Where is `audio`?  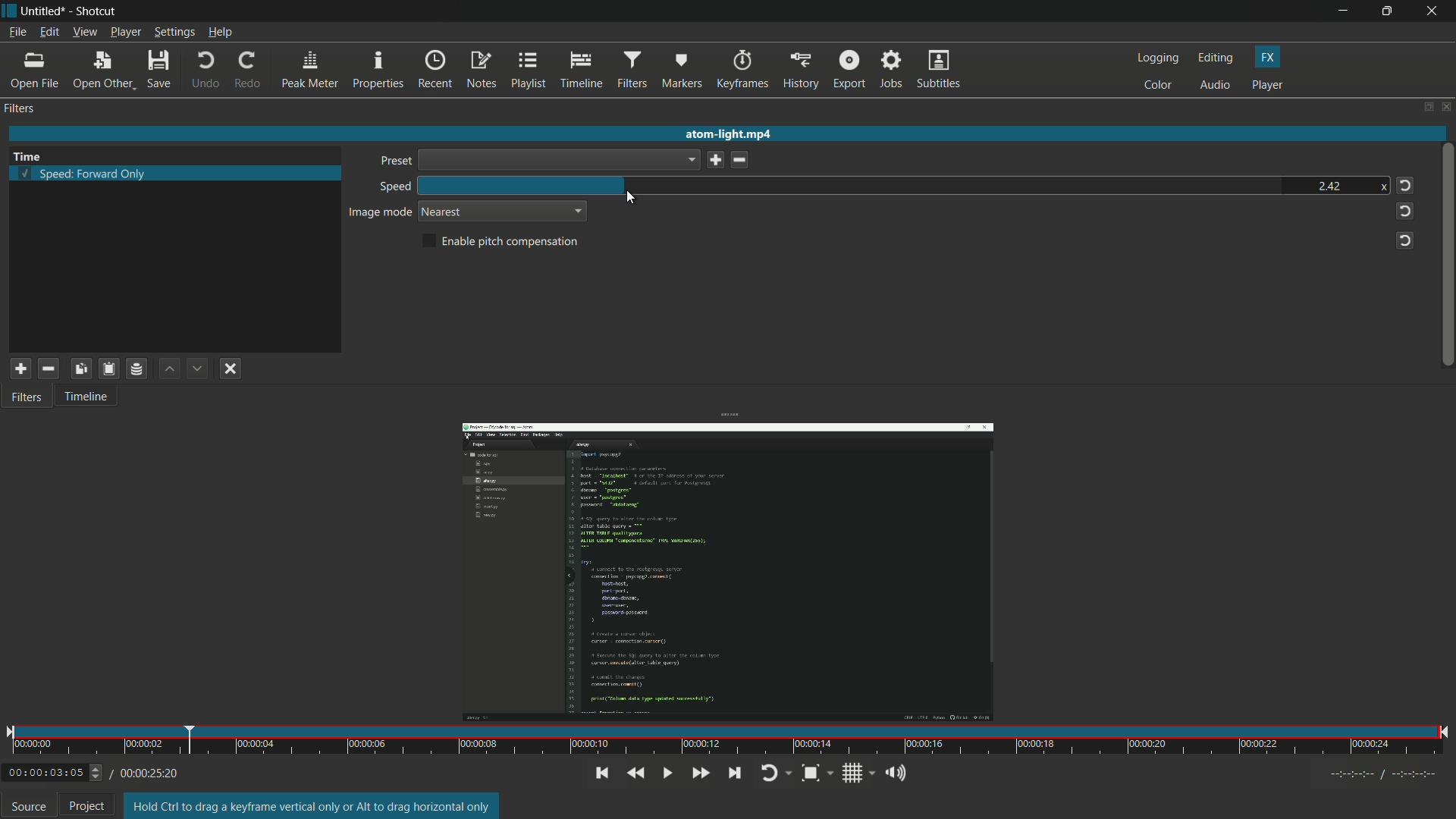 audio is located at coordinates (1216, 86).